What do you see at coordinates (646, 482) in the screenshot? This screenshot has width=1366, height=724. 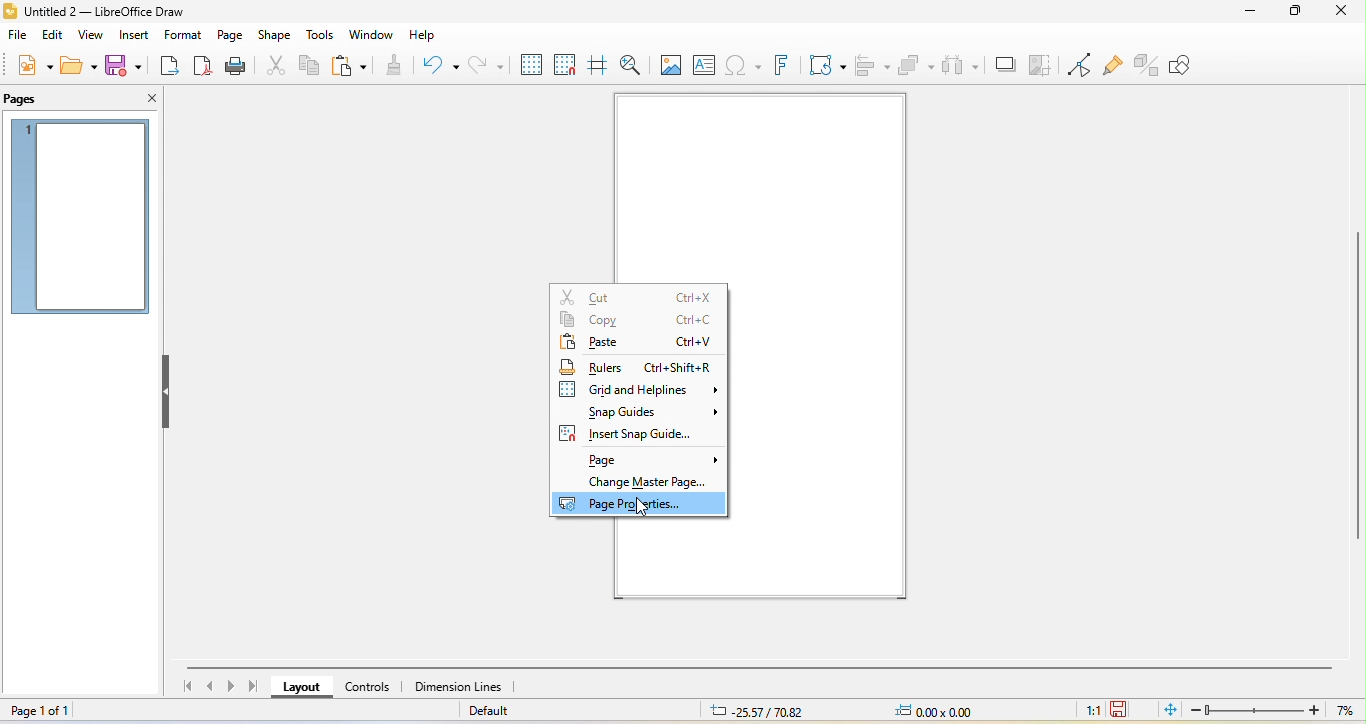 I see `change master page` at bounding box center [646, 482].